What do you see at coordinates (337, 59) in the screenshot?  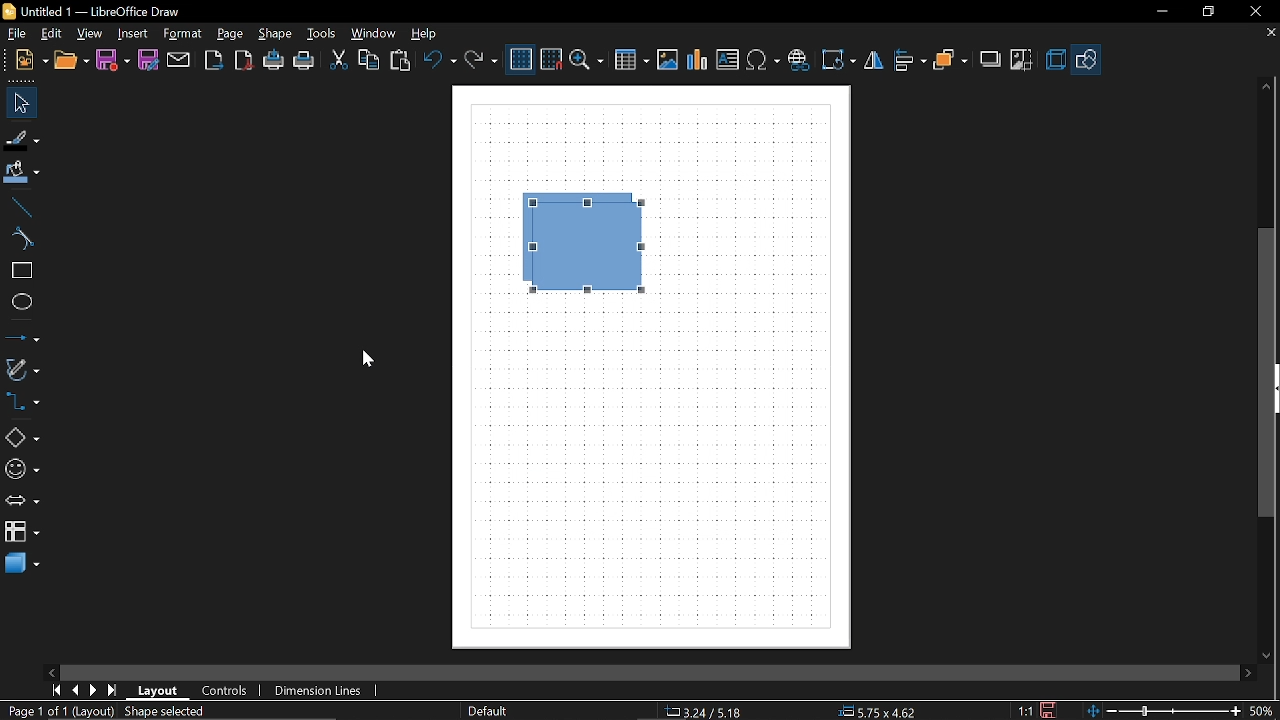 I see `Cut` at bounding box center [337, 59].